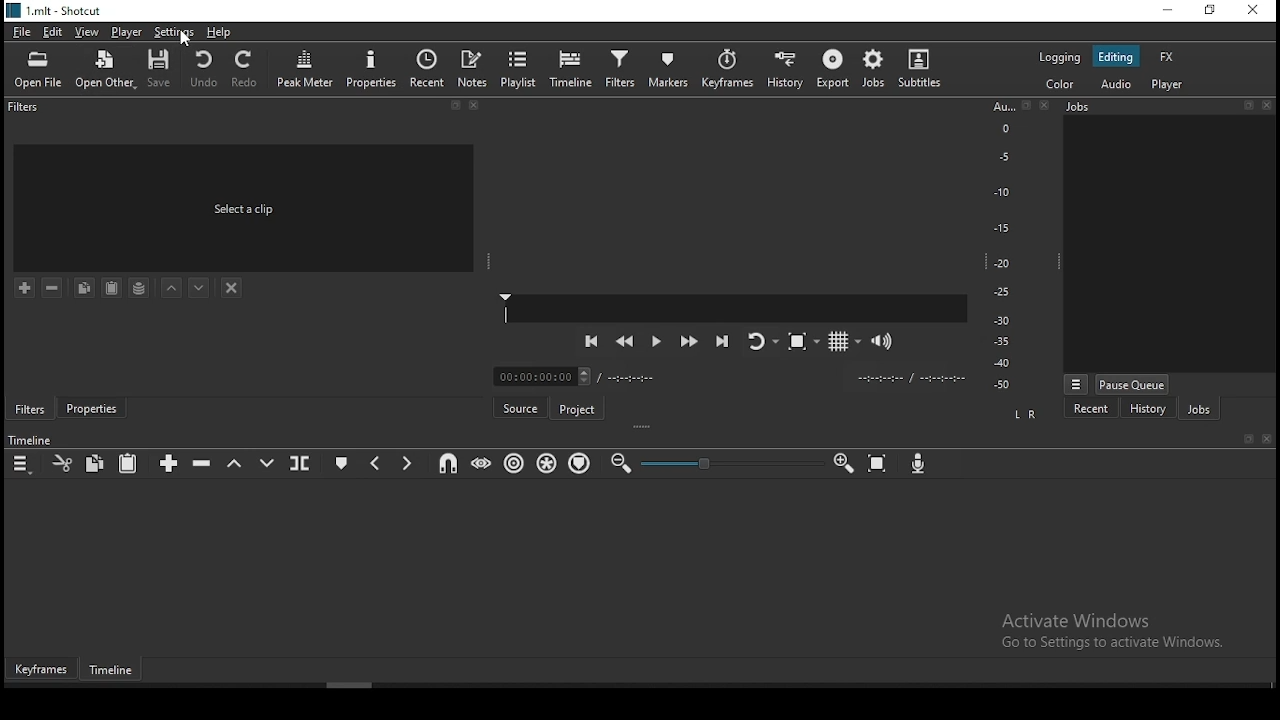  What do you see at coordinates (116, 672) in the screenshot?
I see `timeline` at bounding box center [116, 672].